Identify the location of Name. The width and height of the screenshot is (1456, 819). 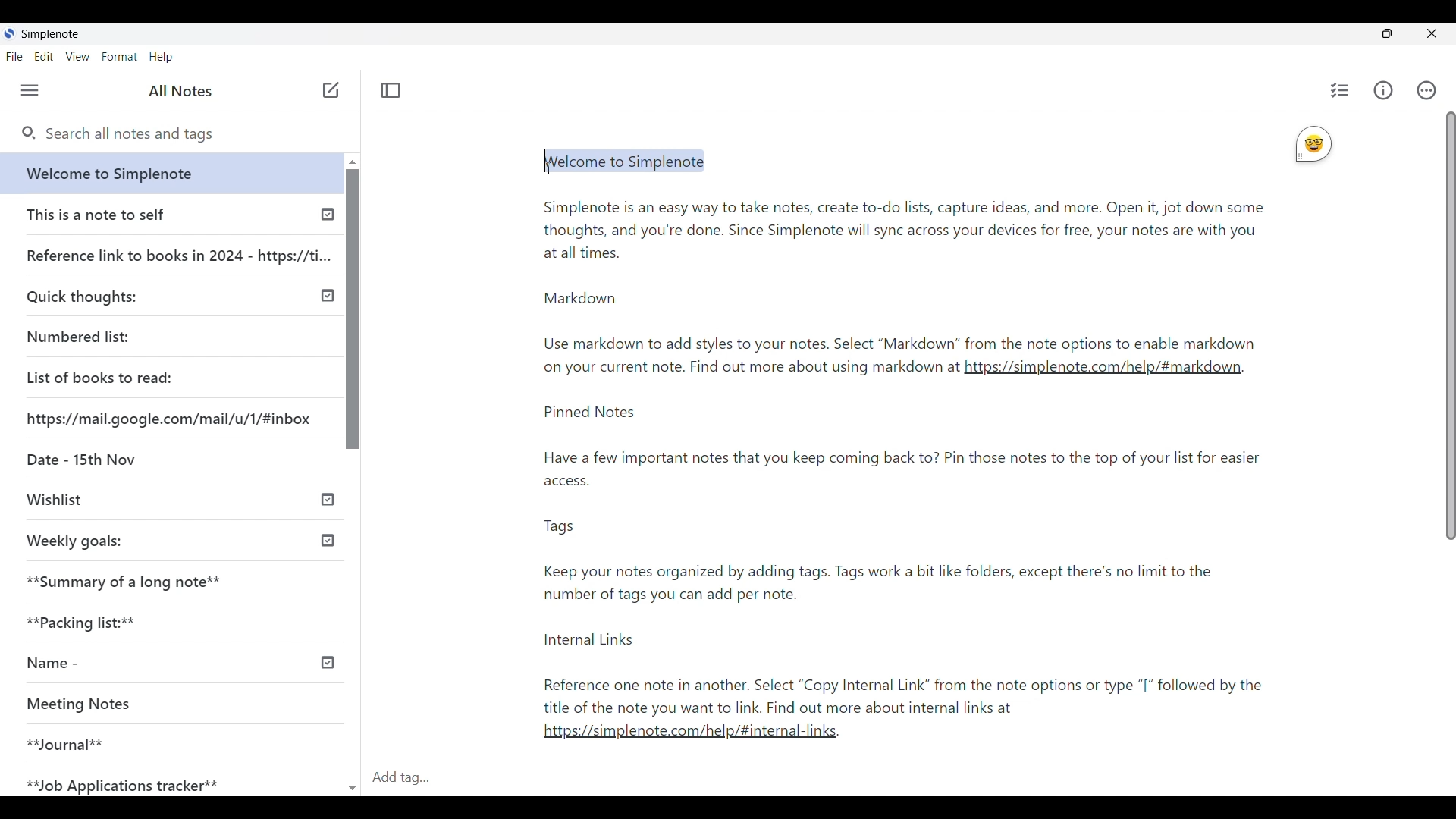
(47, 664).